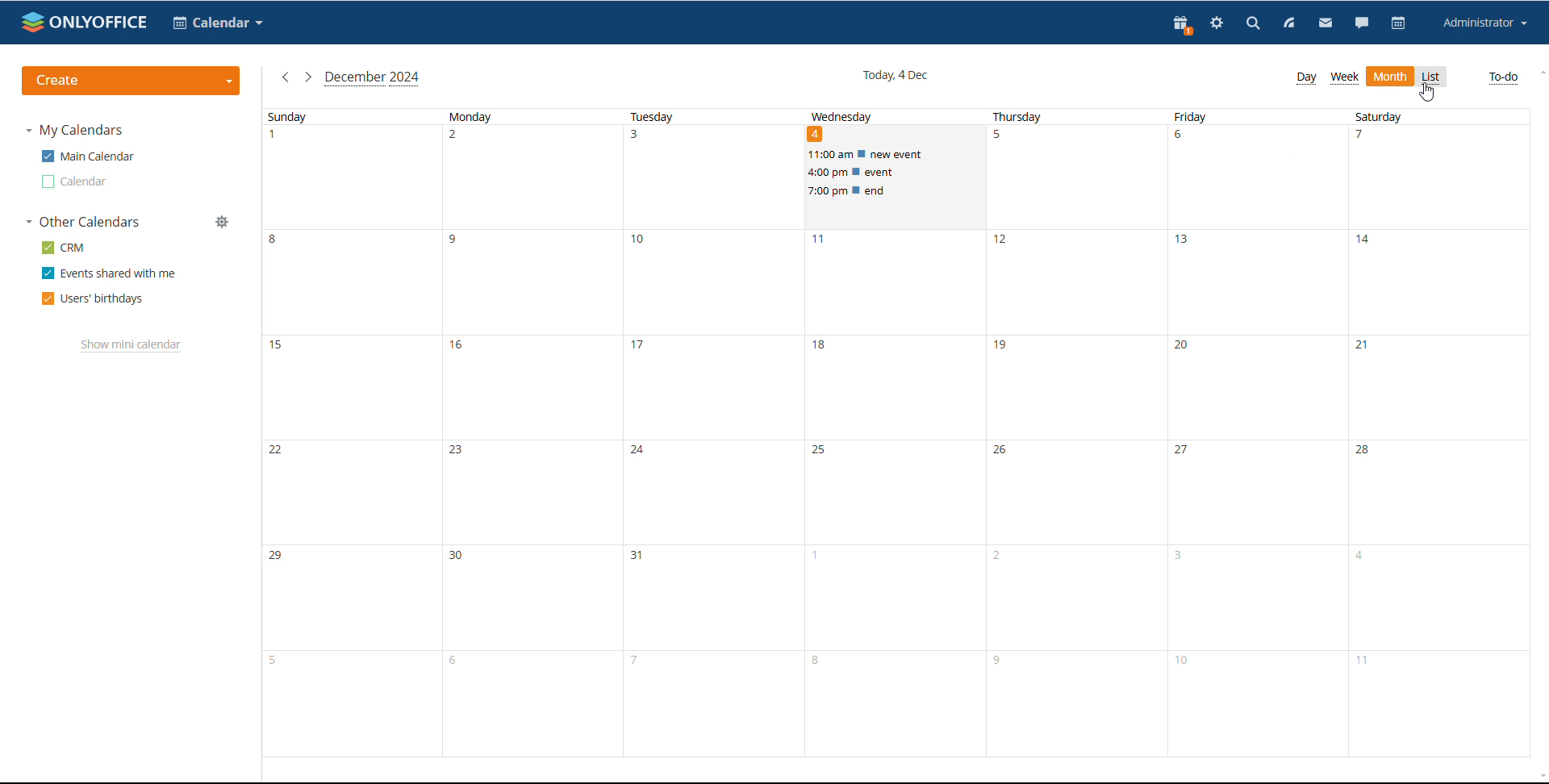 The width and height of the screenshot is (1549, 784). Describe the element at coordinates (1502, 78) in the screenshot. I see `to-do` at that location.